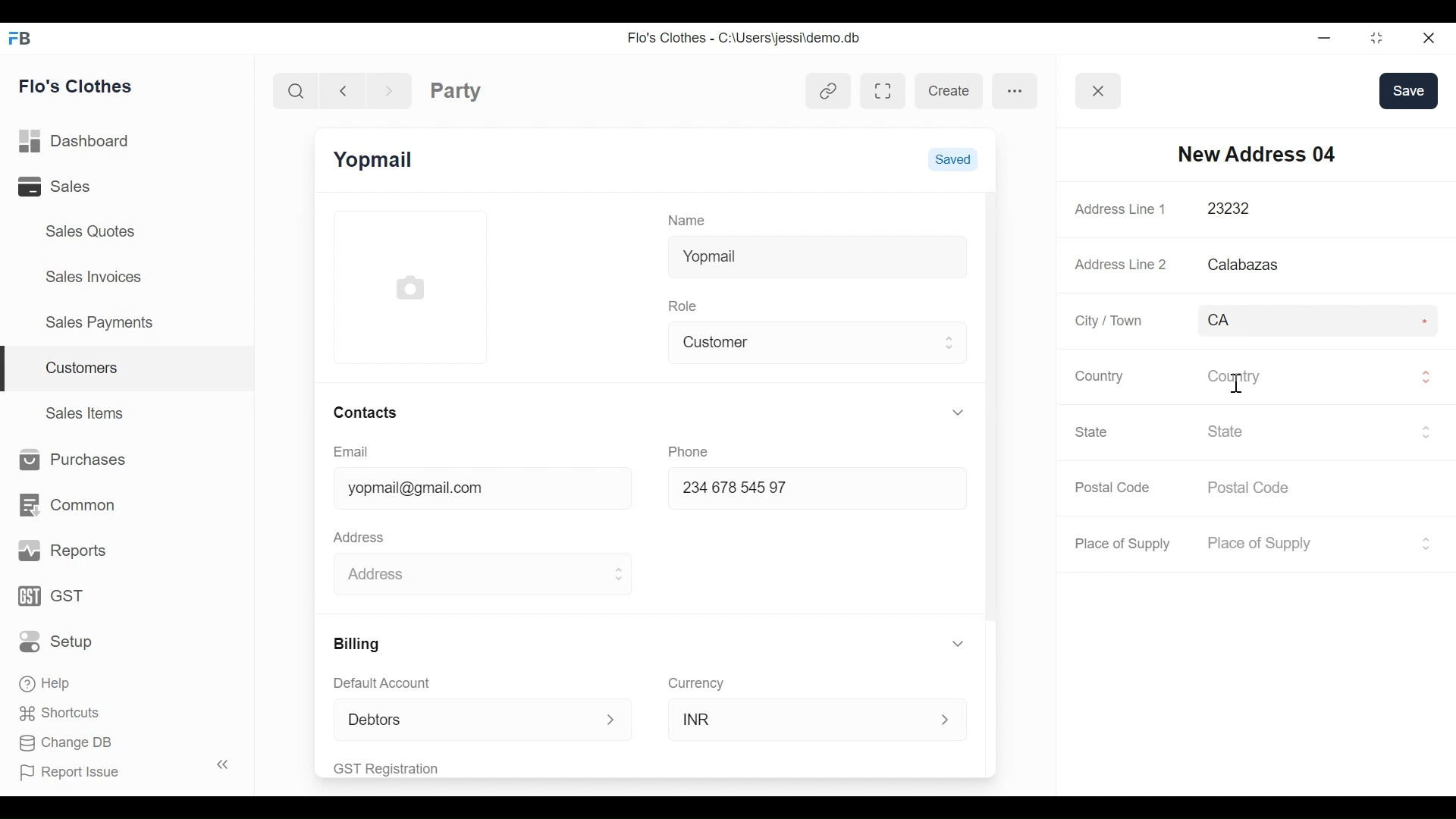  I want to click on Expand, so click(951, 342).